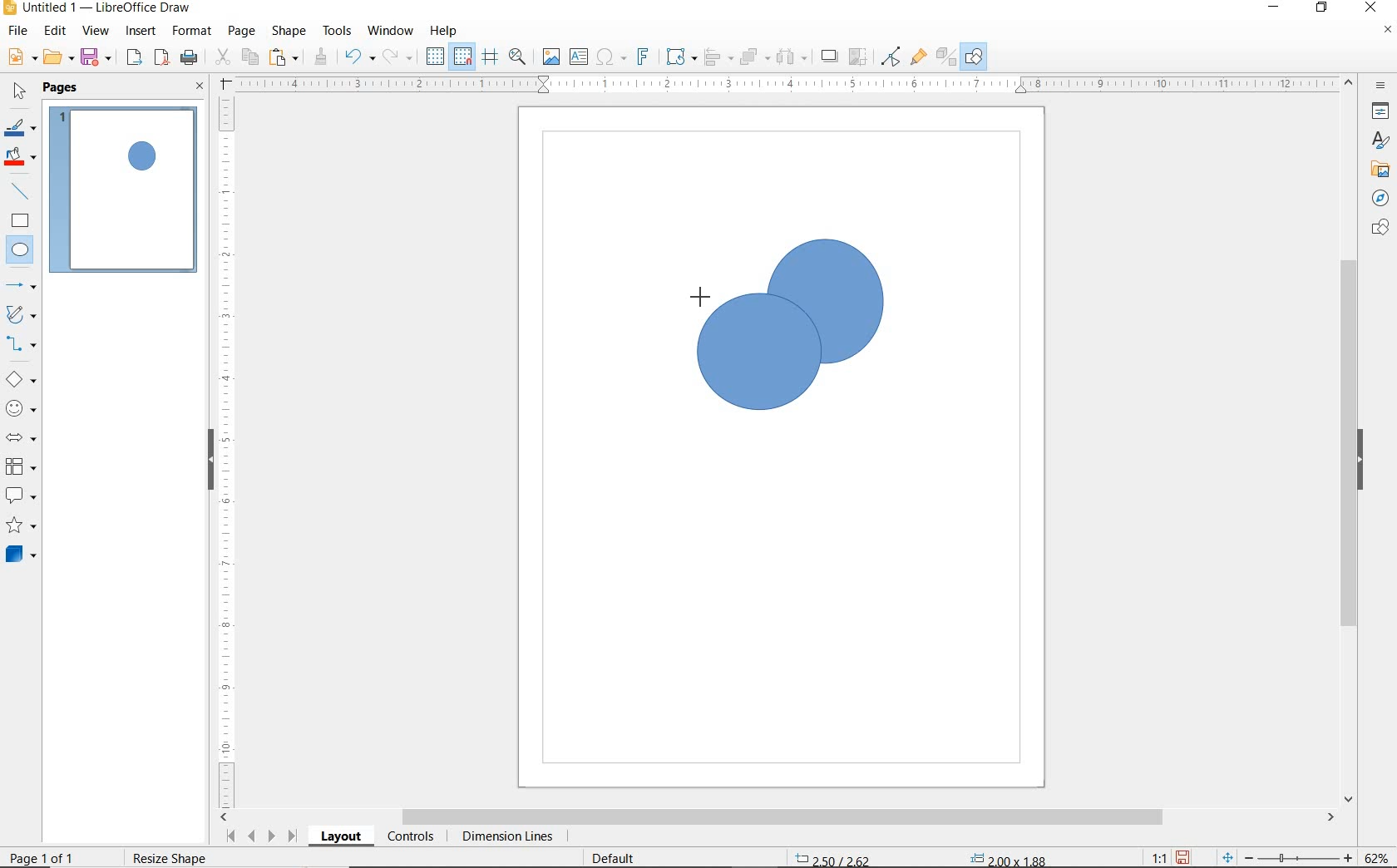  I want to click on FILL COLOR, so click(22, 158).